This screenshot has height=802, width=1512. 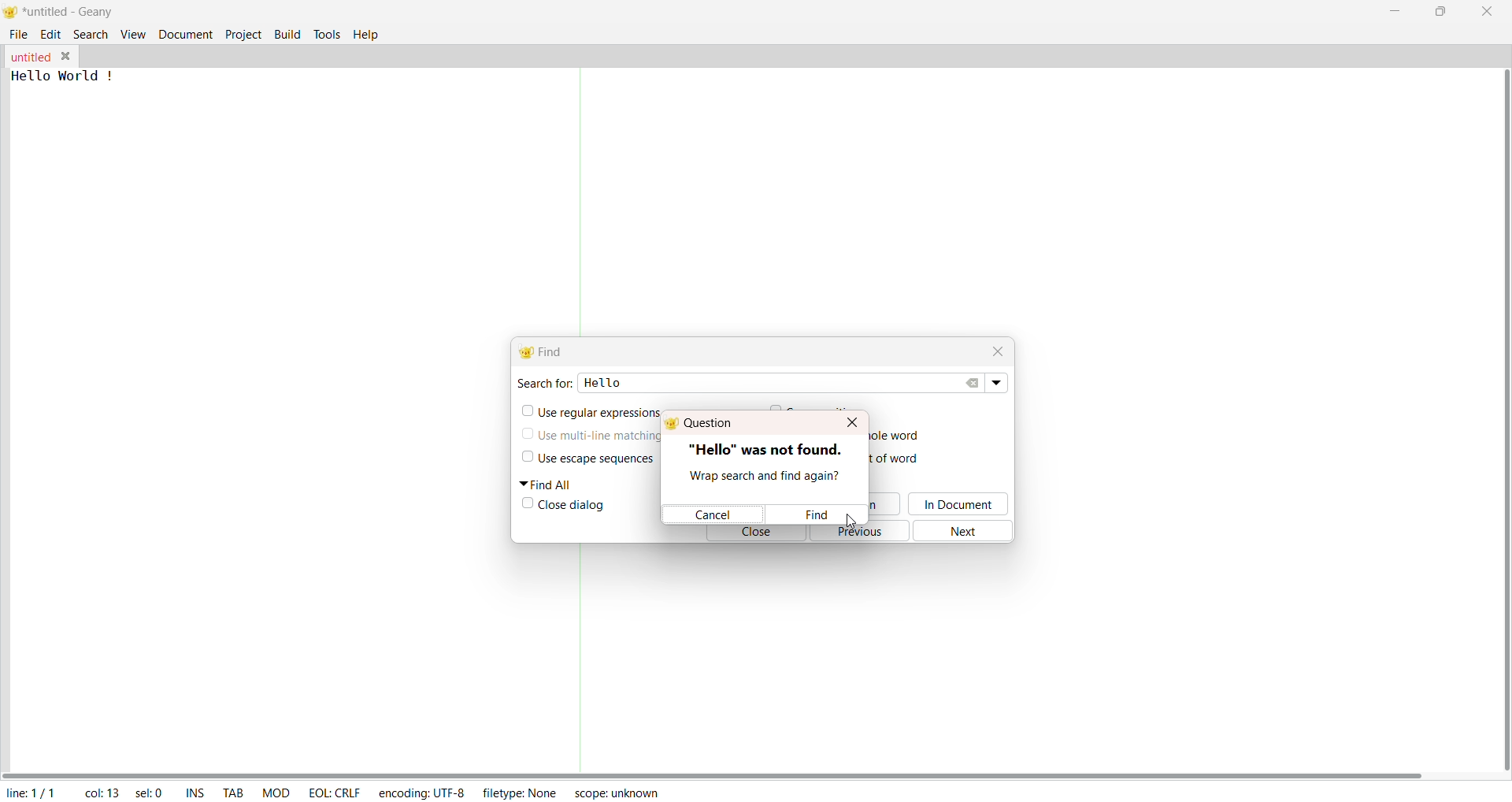 I want to click on Search bar, so click(x=806, y=382).